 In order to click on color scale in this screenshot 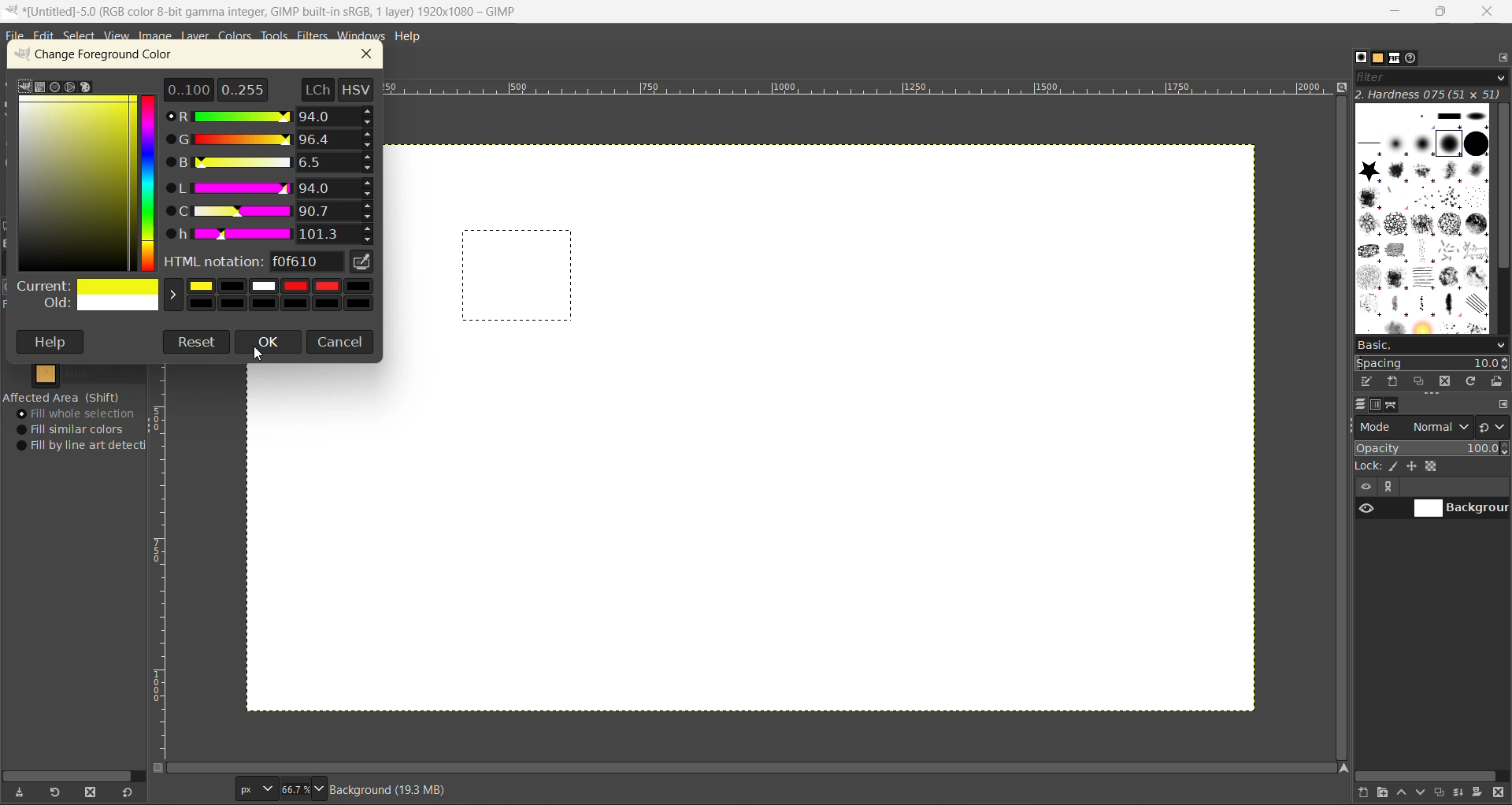, I will do `click(151, 181)`.